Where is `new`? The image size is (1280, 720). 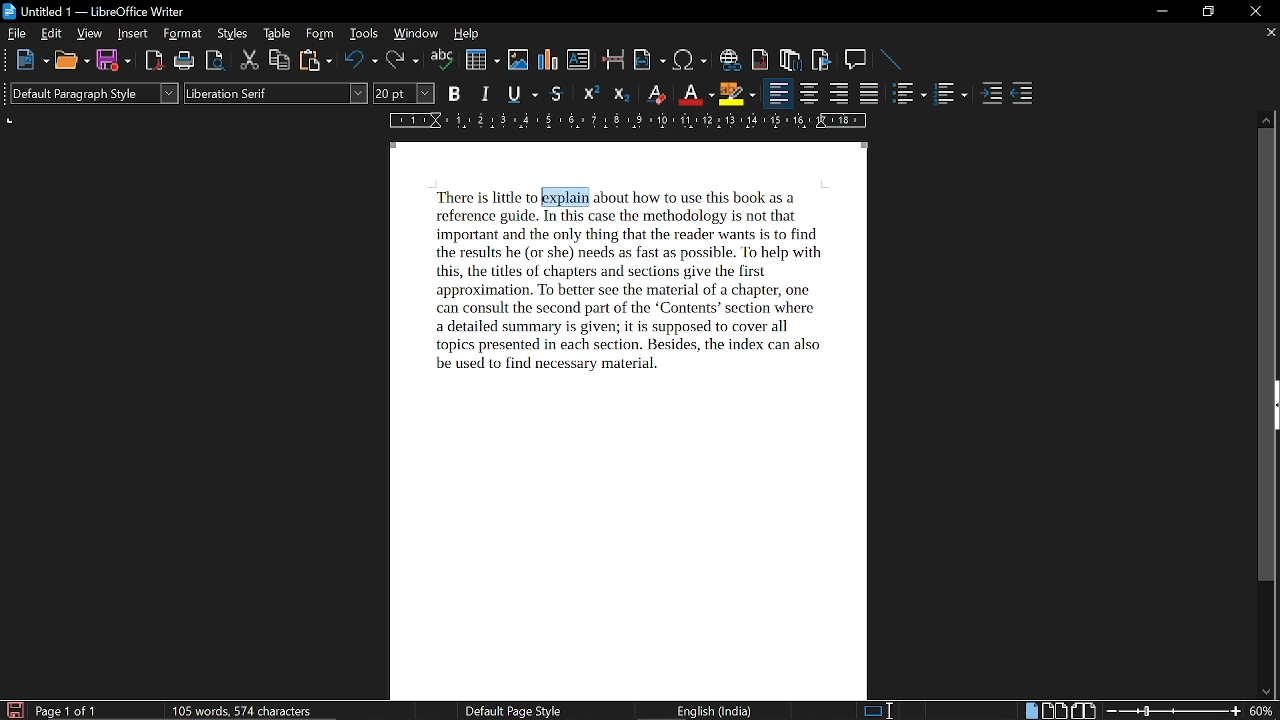 new is located at coordinates (30, 60).